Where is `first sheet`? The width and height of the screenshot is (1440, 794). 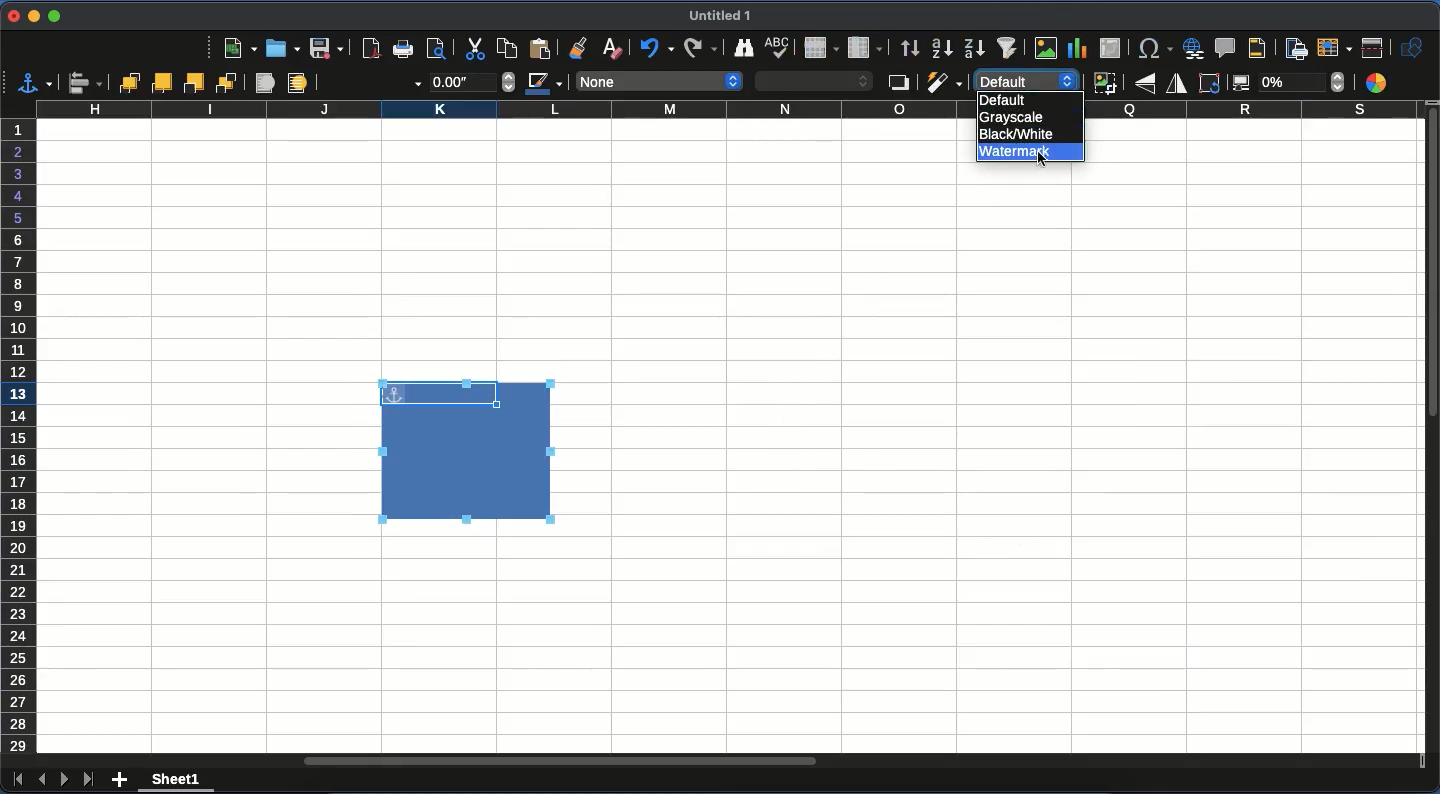 first sheet is located at coordinates (17, 783).